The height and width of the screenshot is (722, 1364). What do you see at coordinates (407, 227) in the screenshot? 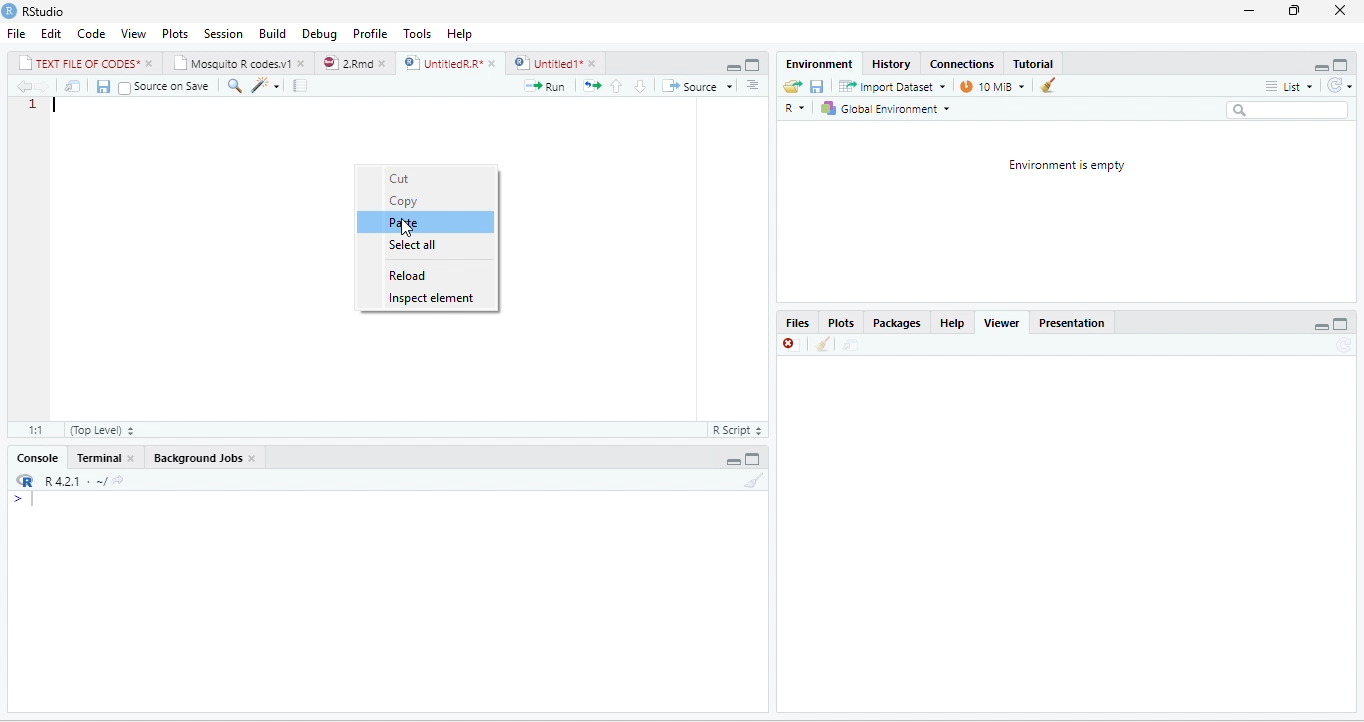
I see `cursor` at bounding box center [407, 227].